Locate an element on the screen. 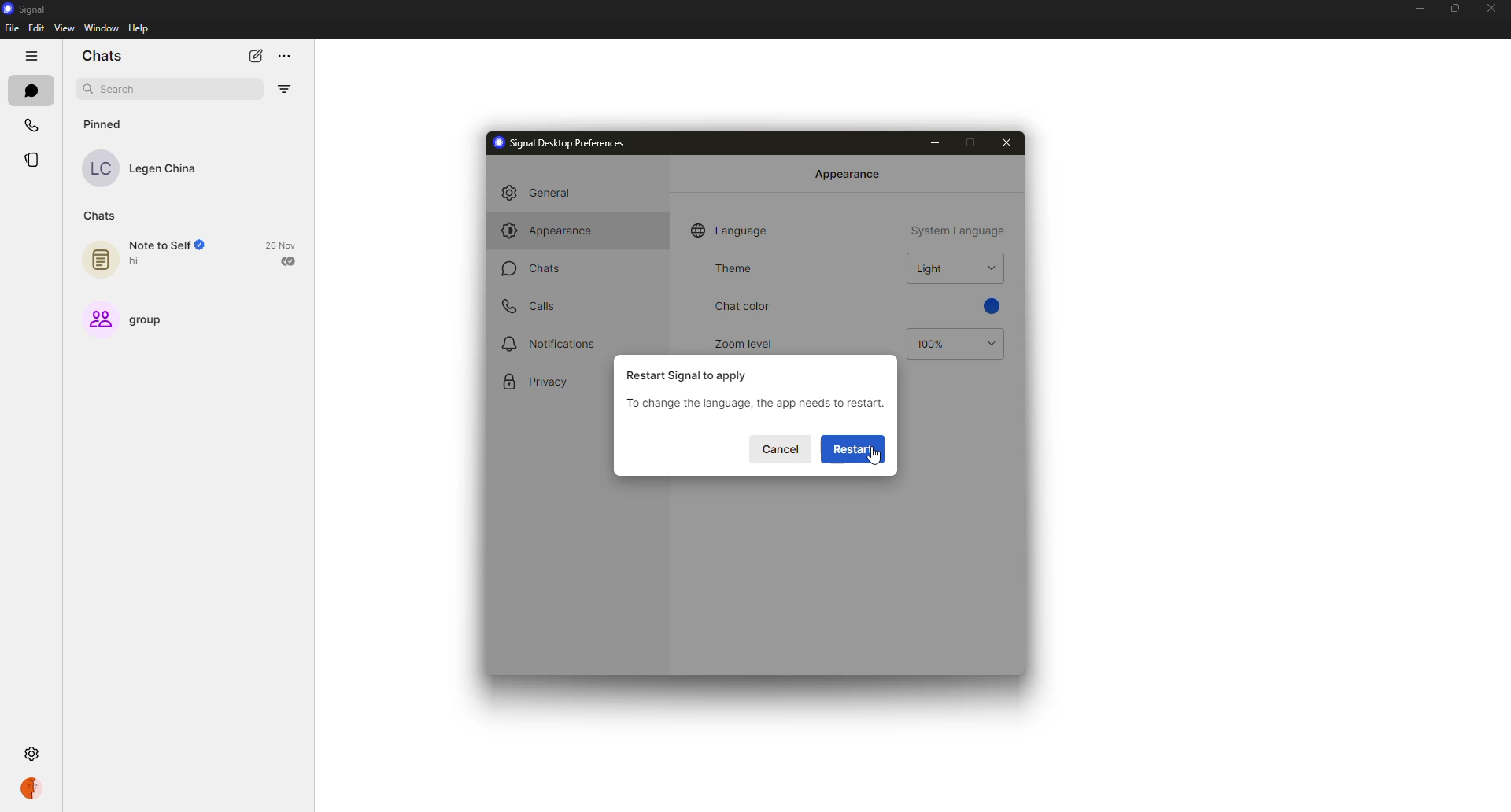 The width and height of the screenshot is (1511, 812). new chat is located at coordinates (256, 57).